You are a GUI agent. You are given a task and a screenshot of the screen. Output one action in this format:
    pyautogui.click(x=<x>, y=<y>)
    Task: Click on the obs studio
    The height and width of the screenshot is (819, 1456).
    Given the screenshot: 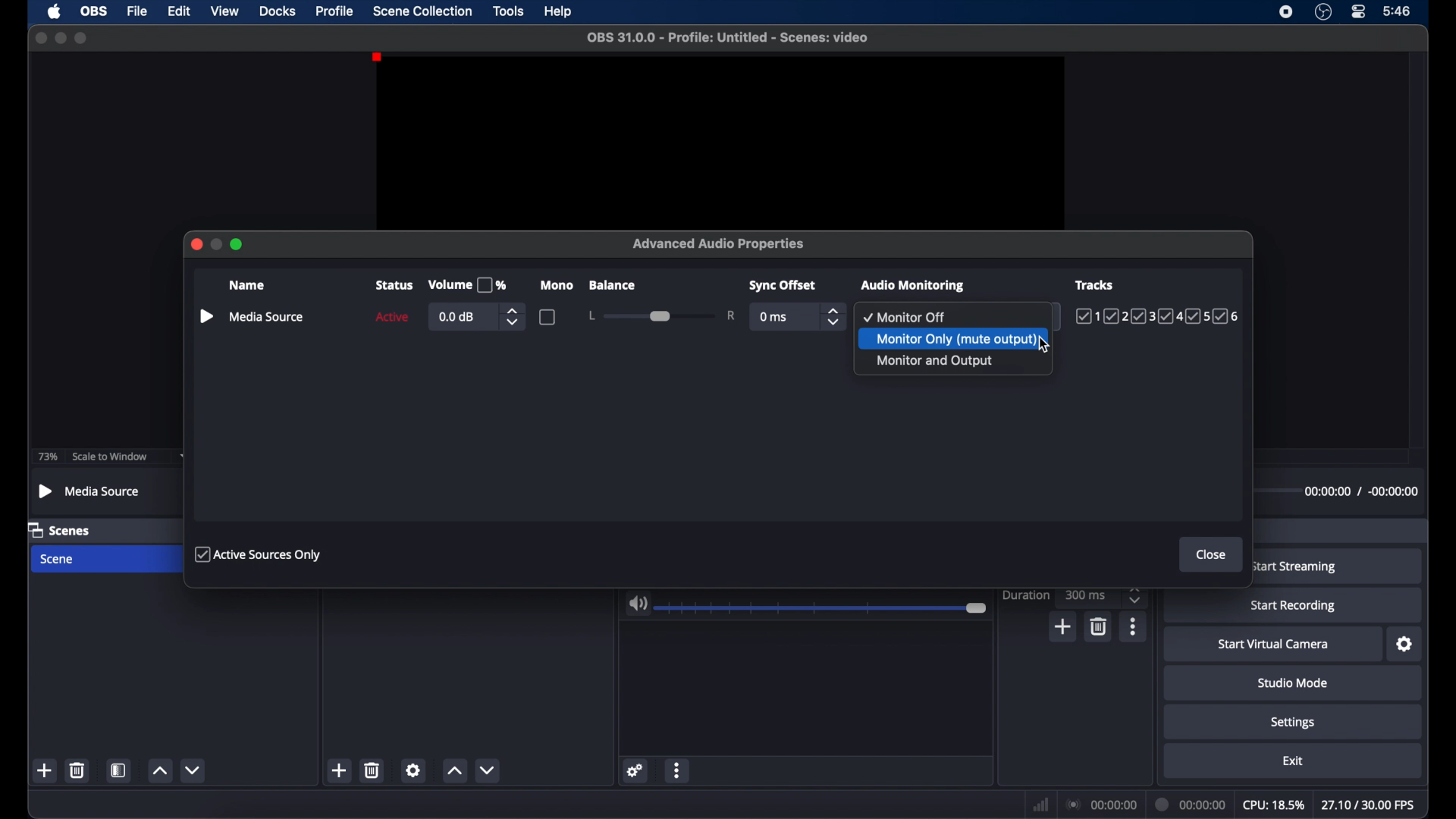 What is the action you would take?
    pyautogui.click(x=1323, y=12)
    